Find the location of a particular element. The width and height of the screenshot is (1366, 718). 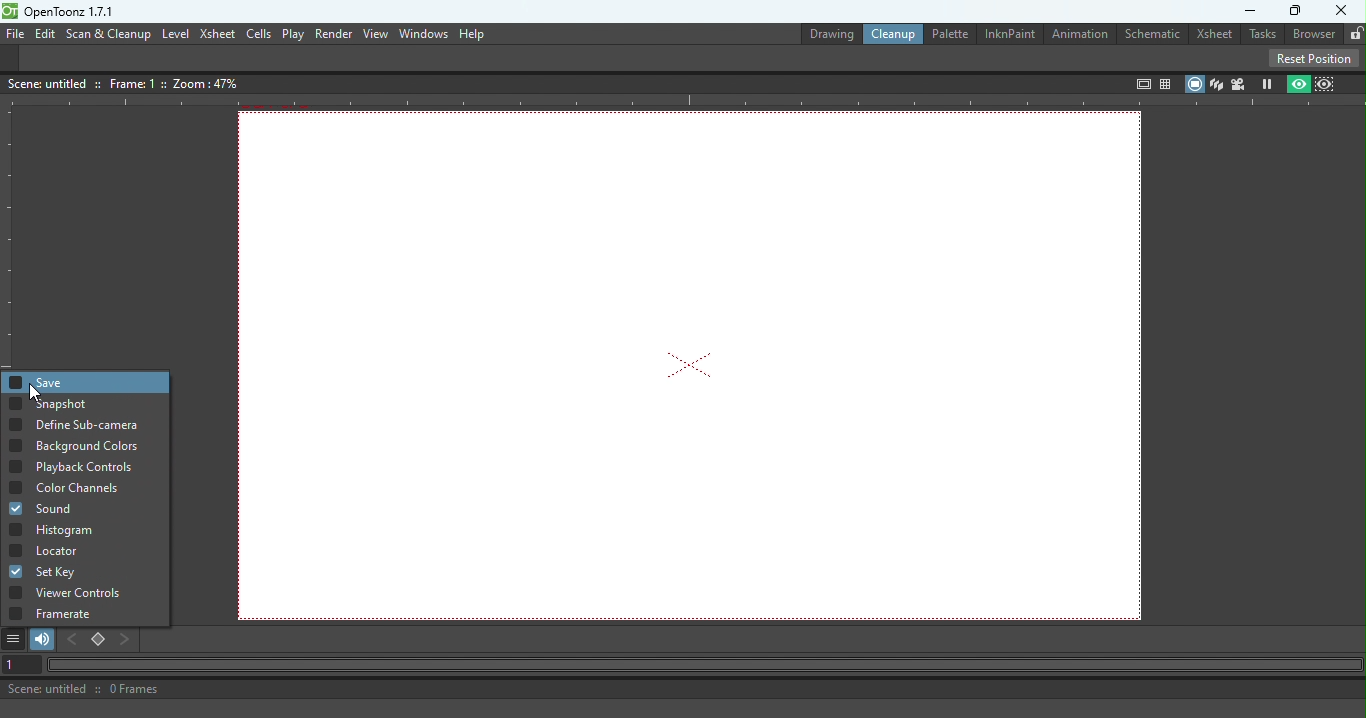

Freeze is located at coordinates (1267, 83).